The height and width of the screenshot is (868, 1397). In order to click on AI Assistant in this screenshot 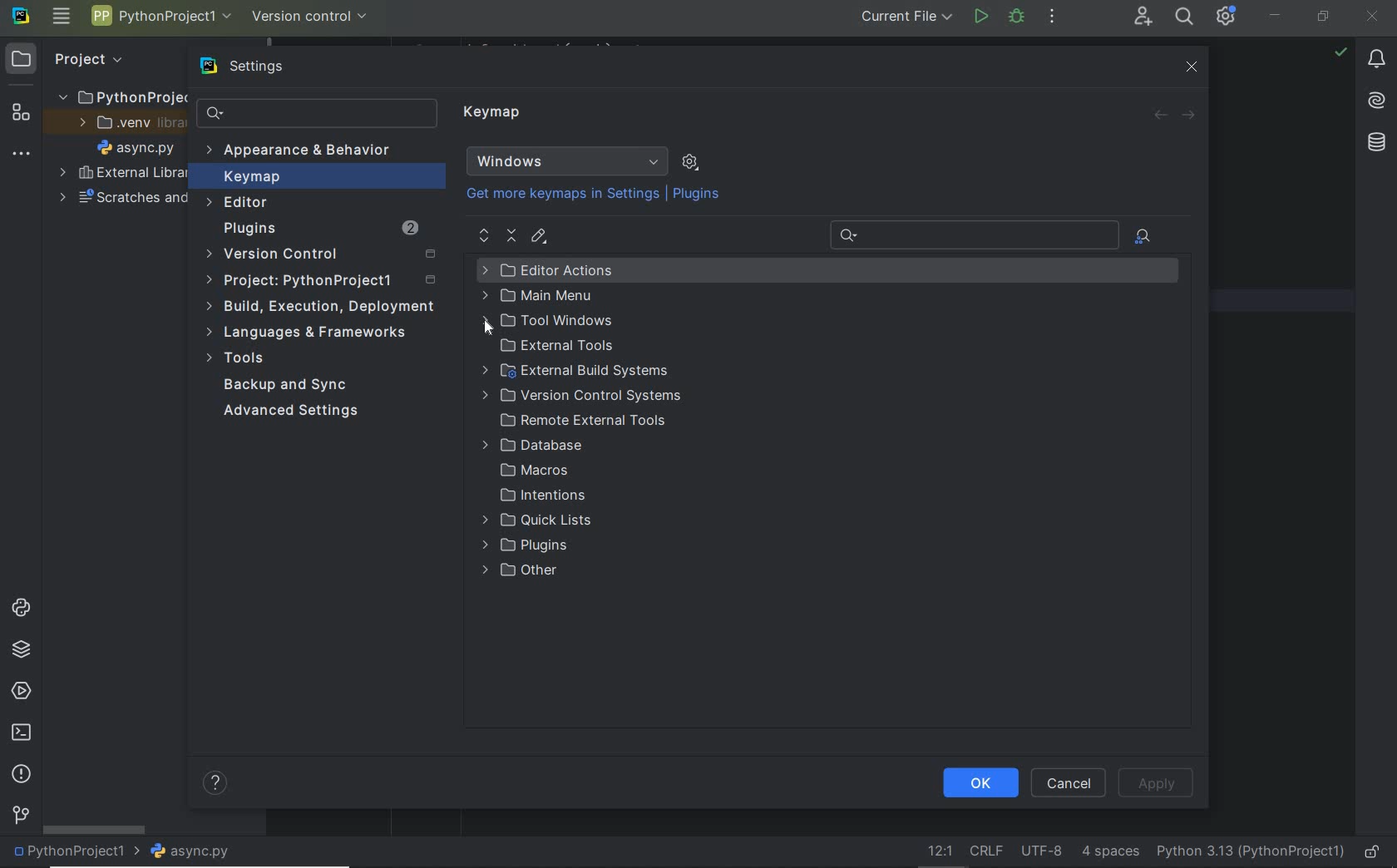, I will do `click(1378, 102)`.